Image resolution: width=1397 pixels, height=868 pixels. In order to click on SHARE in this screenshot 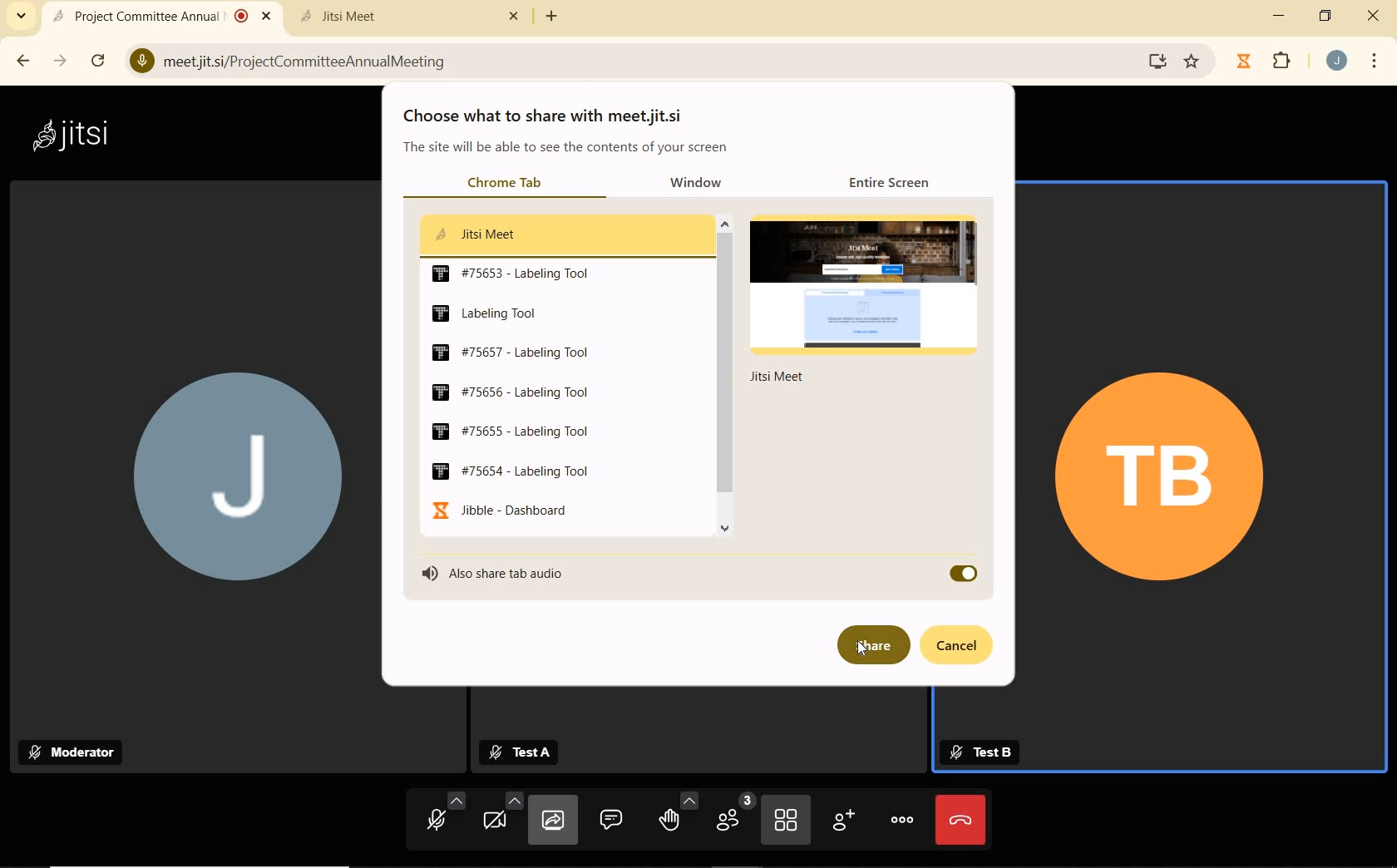, I will do `click(871, 645)`.